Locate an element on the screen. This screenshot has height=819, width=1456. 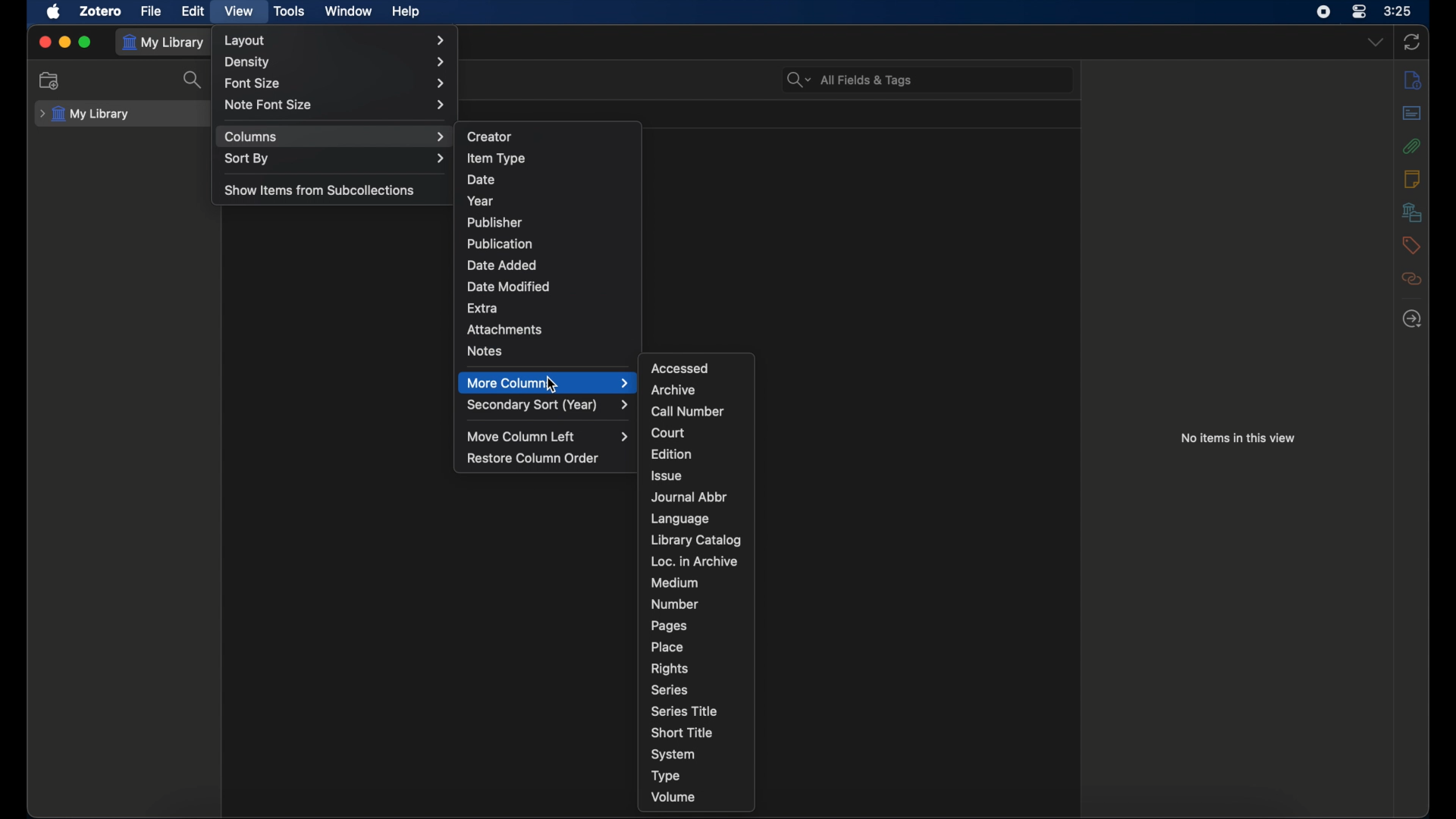
locate is located at coordinates (1412, 319).